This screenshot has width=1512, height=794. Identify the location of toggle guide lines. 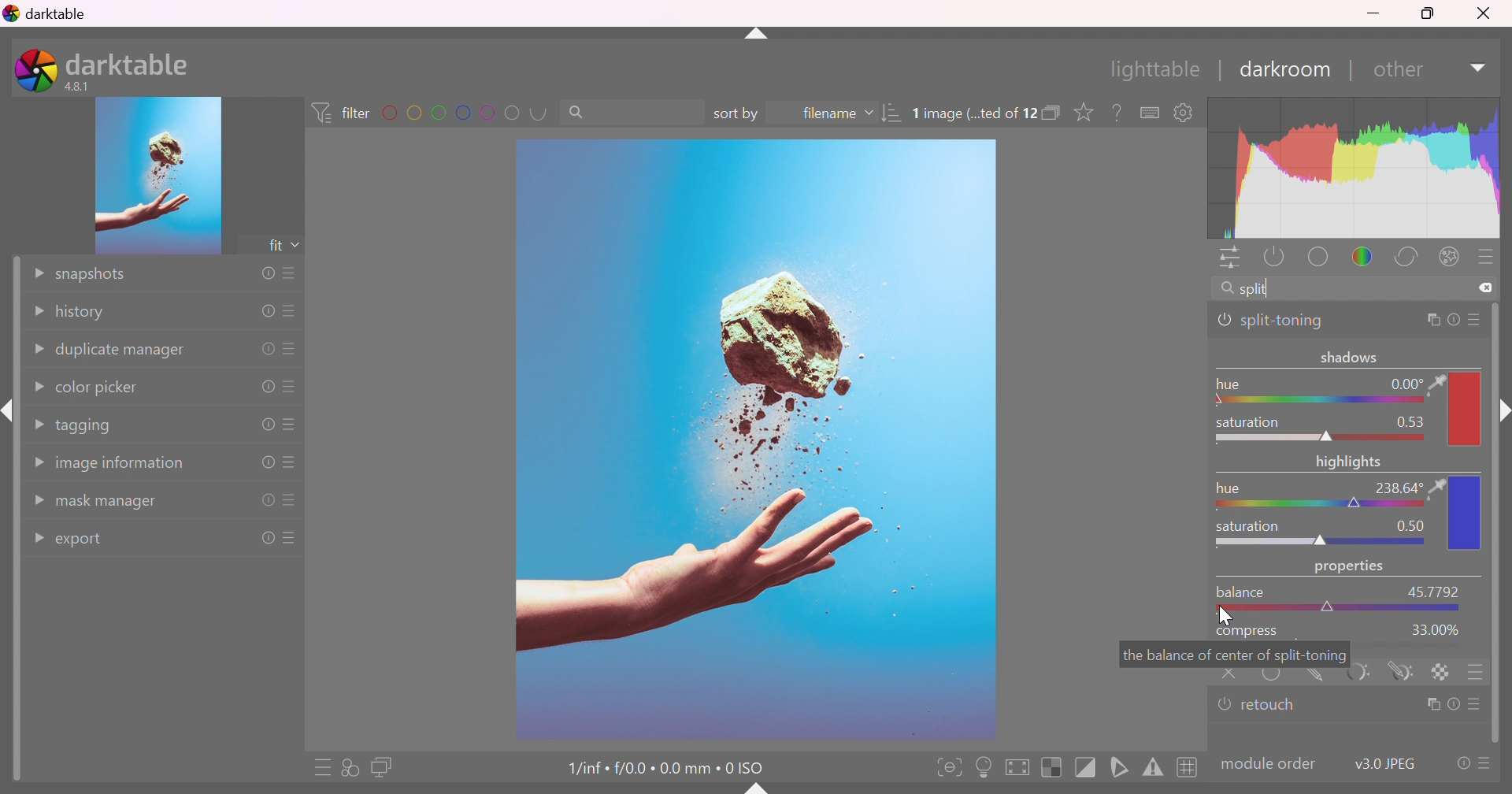
(1186, 768).